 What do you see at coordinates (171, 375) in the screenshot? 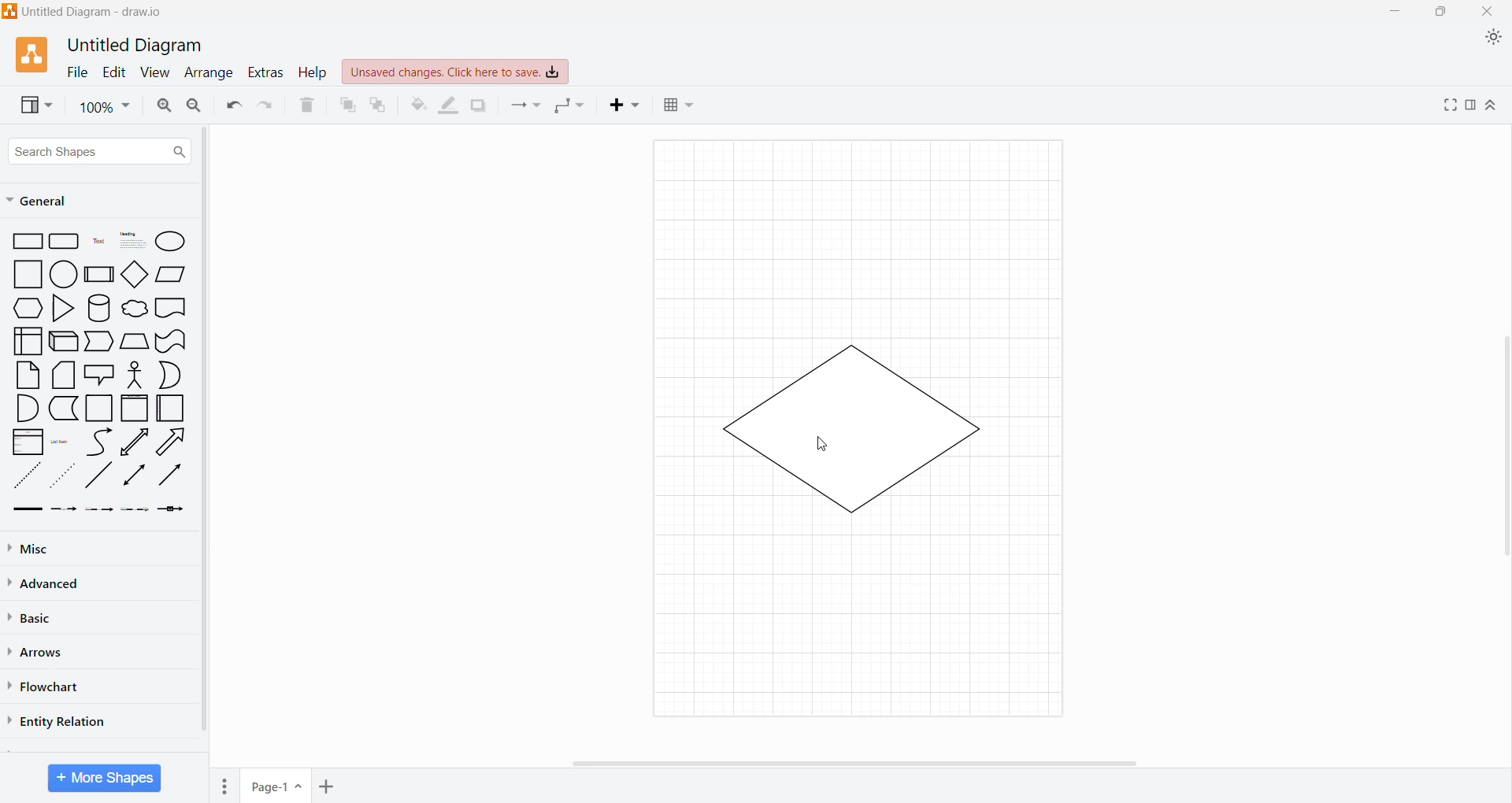
I see `Or` at bounding box center [171, 375].